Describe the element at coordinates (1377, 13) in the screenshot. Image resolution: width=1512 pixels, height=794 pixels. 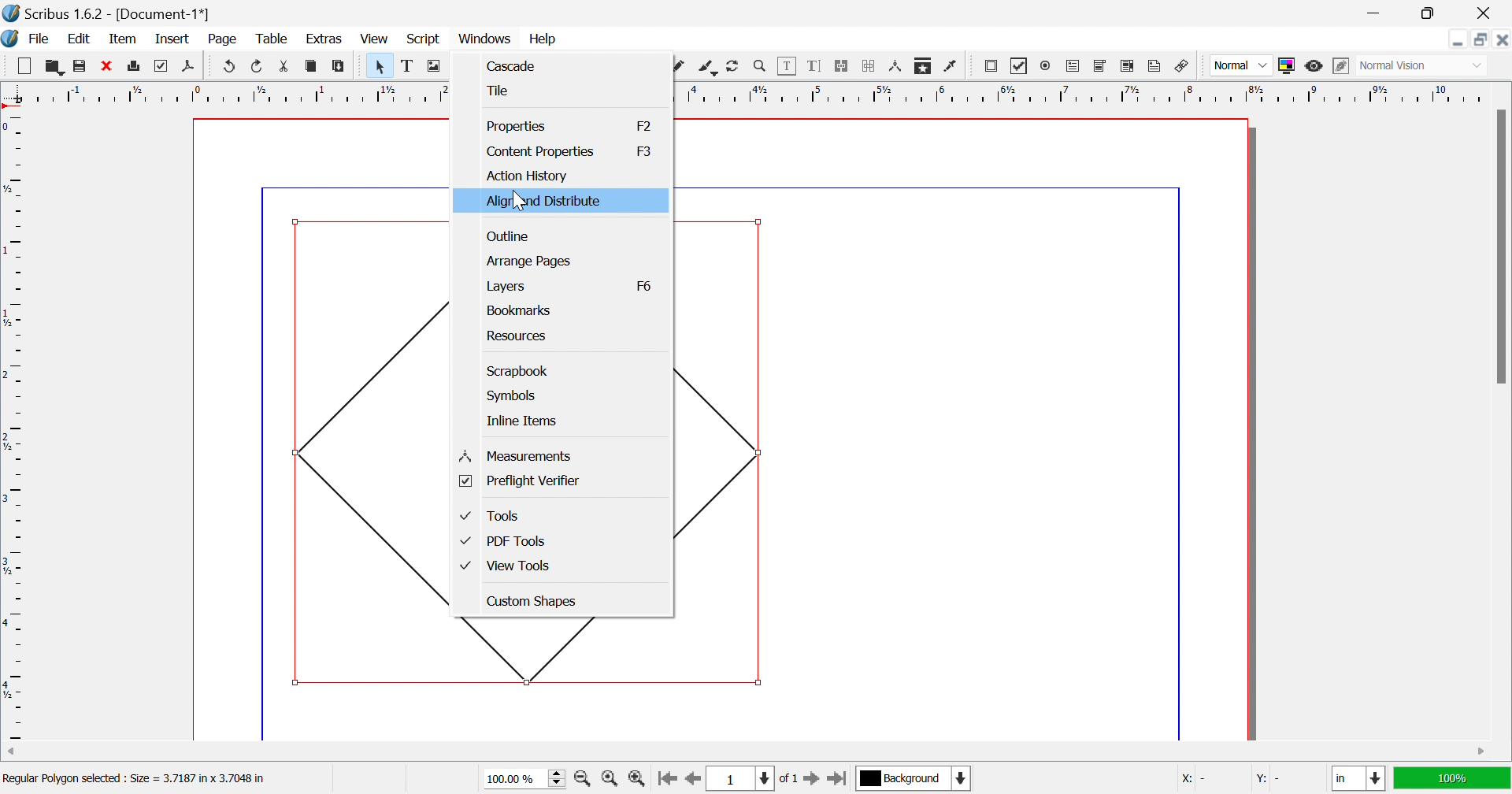
I see `Minimize` at that location.